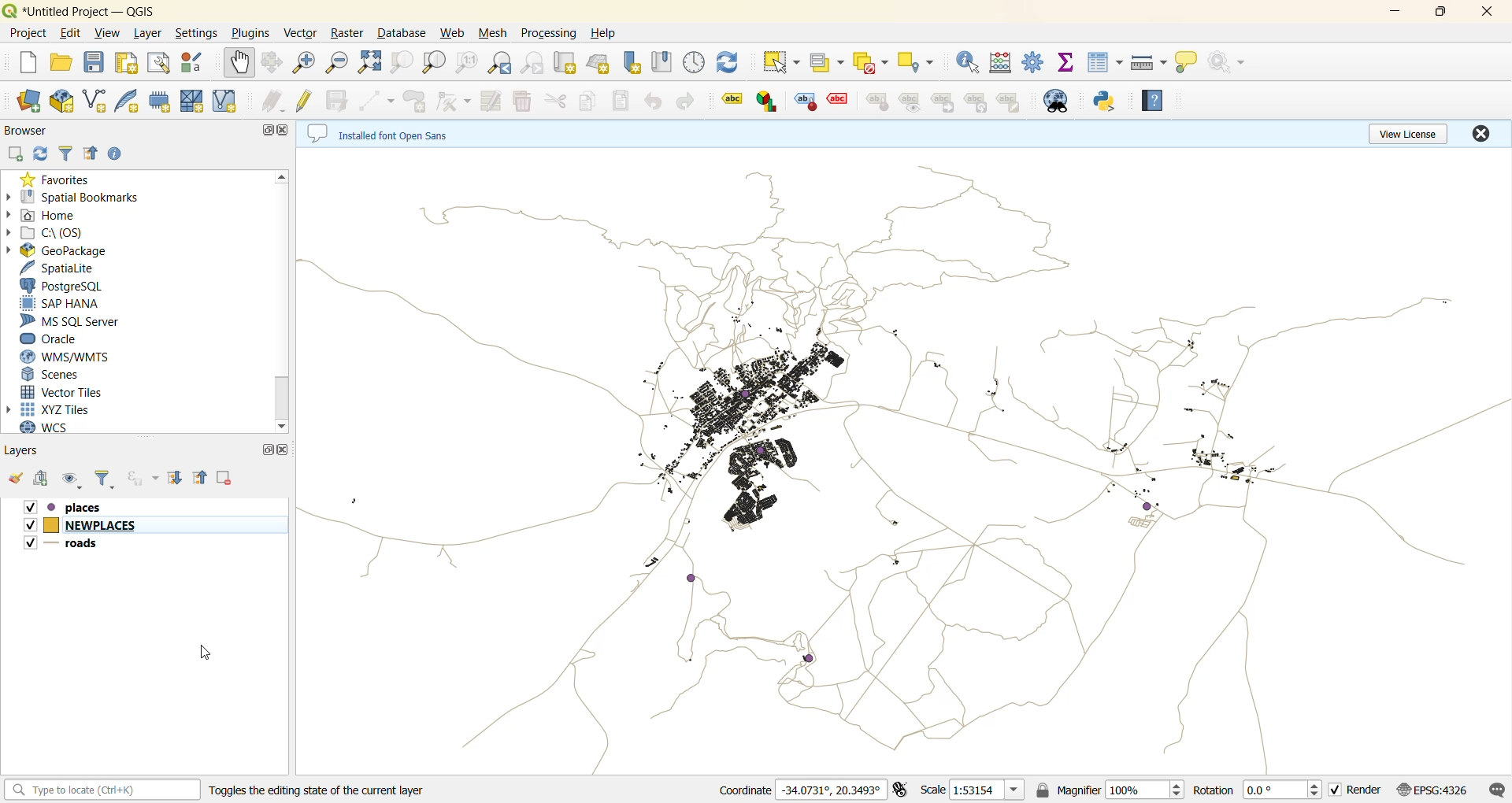 Image resolution: width=1512 pixels, height=803 pixels. I want to click on redo, so click(681, 101).